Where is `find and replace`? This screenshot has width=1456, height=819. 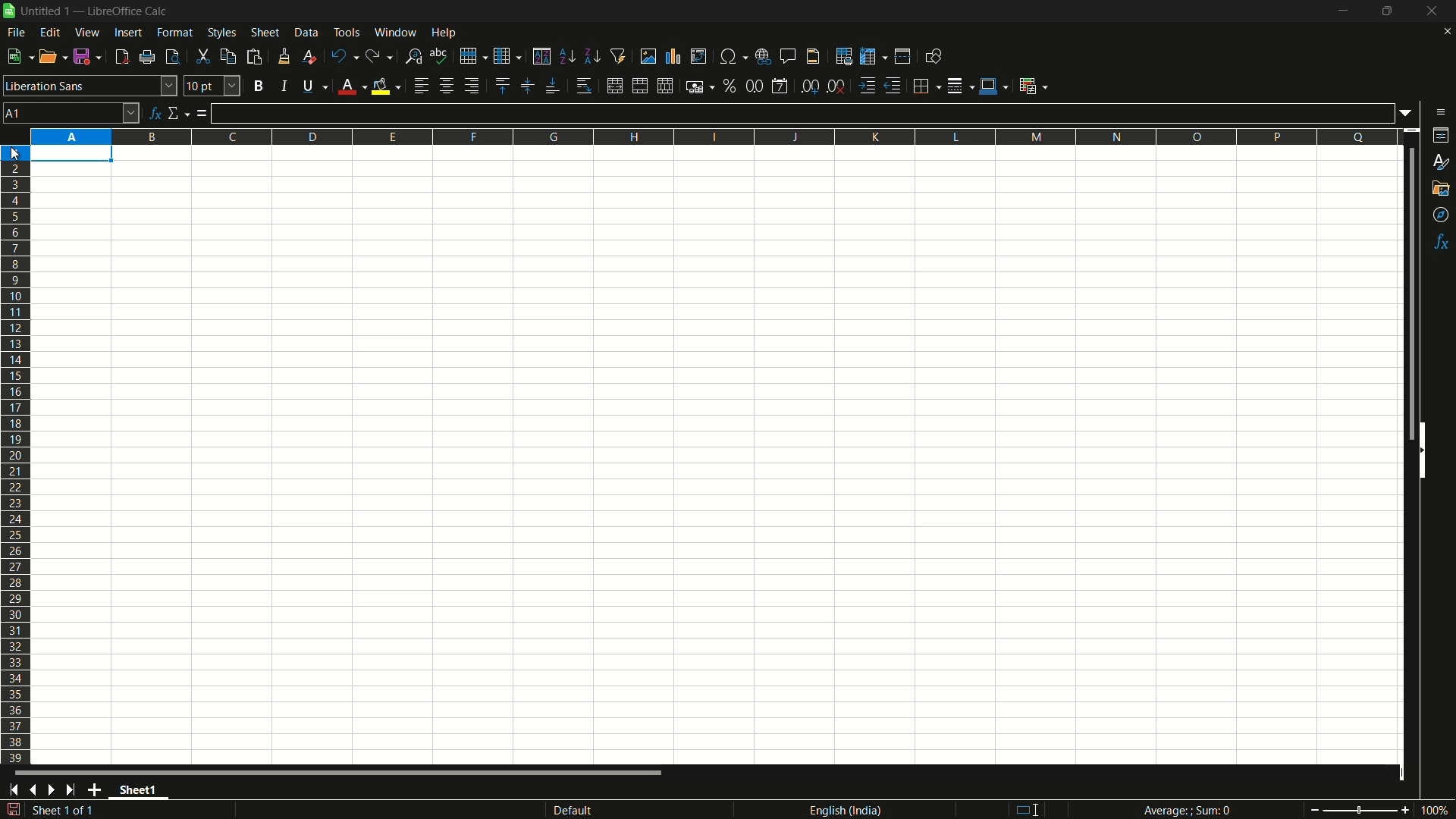
find and replace is located at coordinates (414, 55).